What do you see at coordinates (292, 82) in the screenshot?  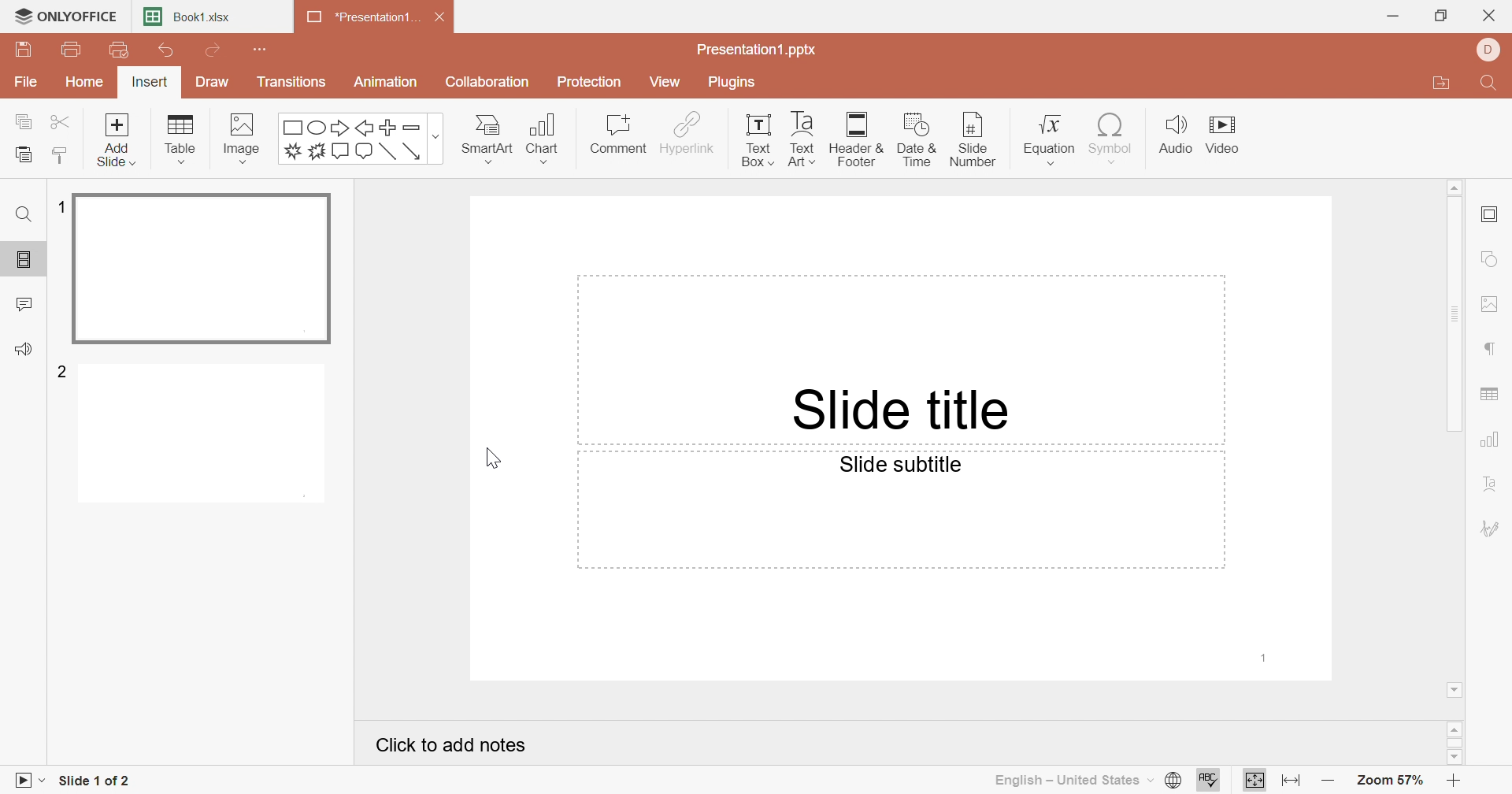 I see `Transitions` at bounding box center [292, 82].